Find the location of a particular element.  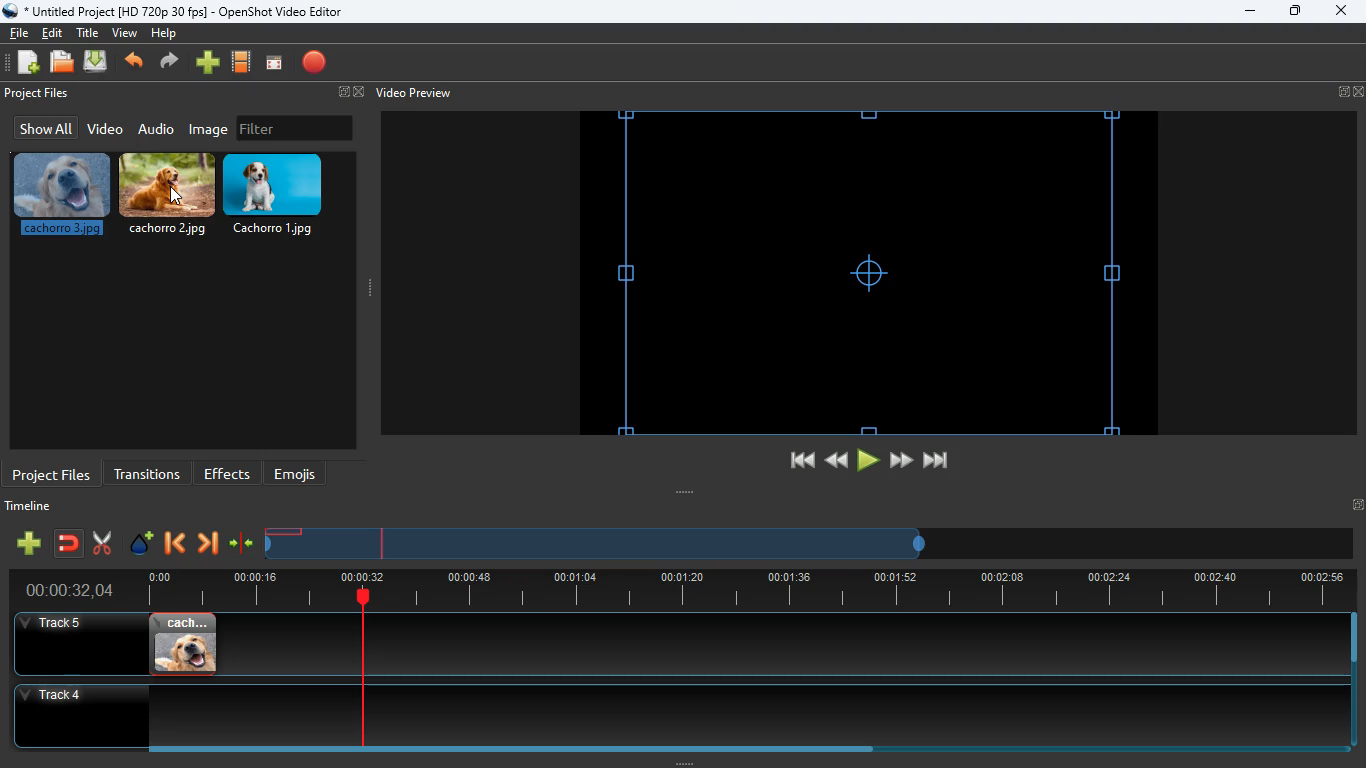

timeline is located at coordinates (598, 551).